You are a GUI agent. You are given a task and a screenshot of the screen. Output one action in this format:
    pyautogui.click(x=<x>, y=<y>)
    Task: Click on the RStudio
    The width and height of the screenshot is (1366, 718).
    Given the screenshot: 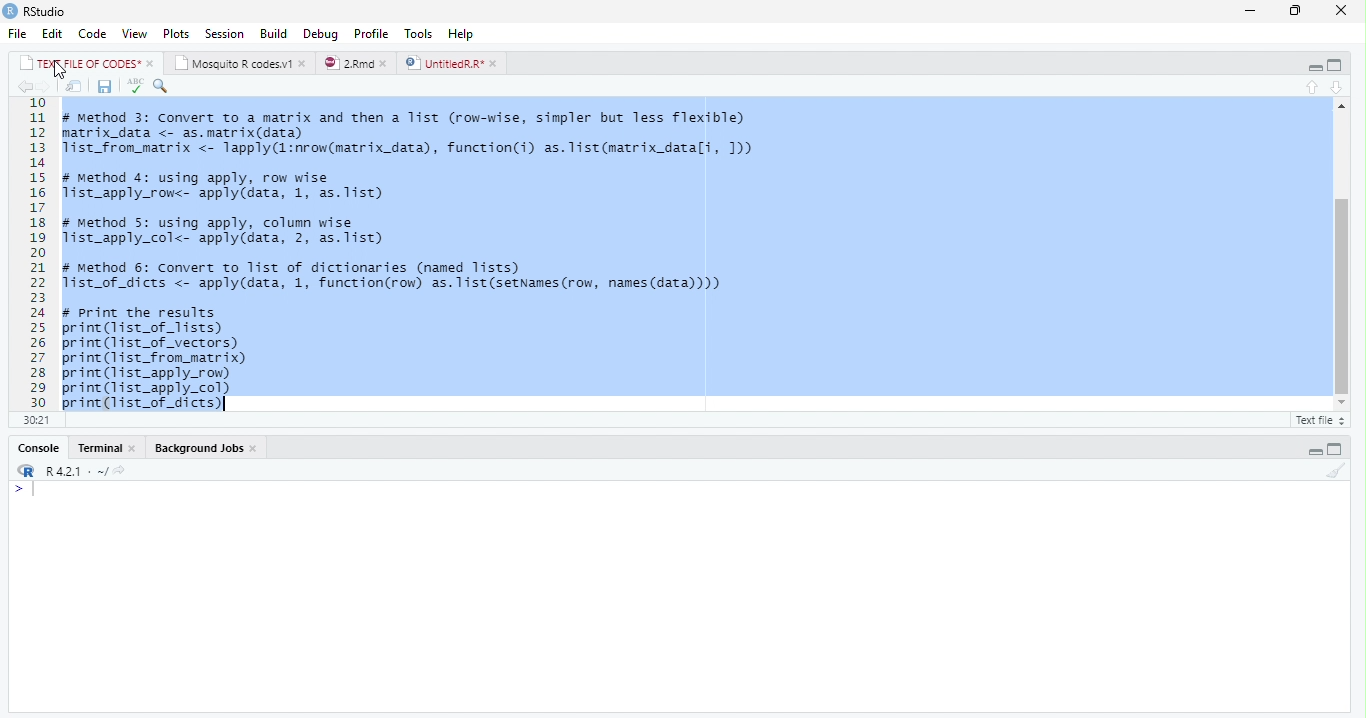 What is the action you would take?
    pyautogui.click(x=36, y=11)
    